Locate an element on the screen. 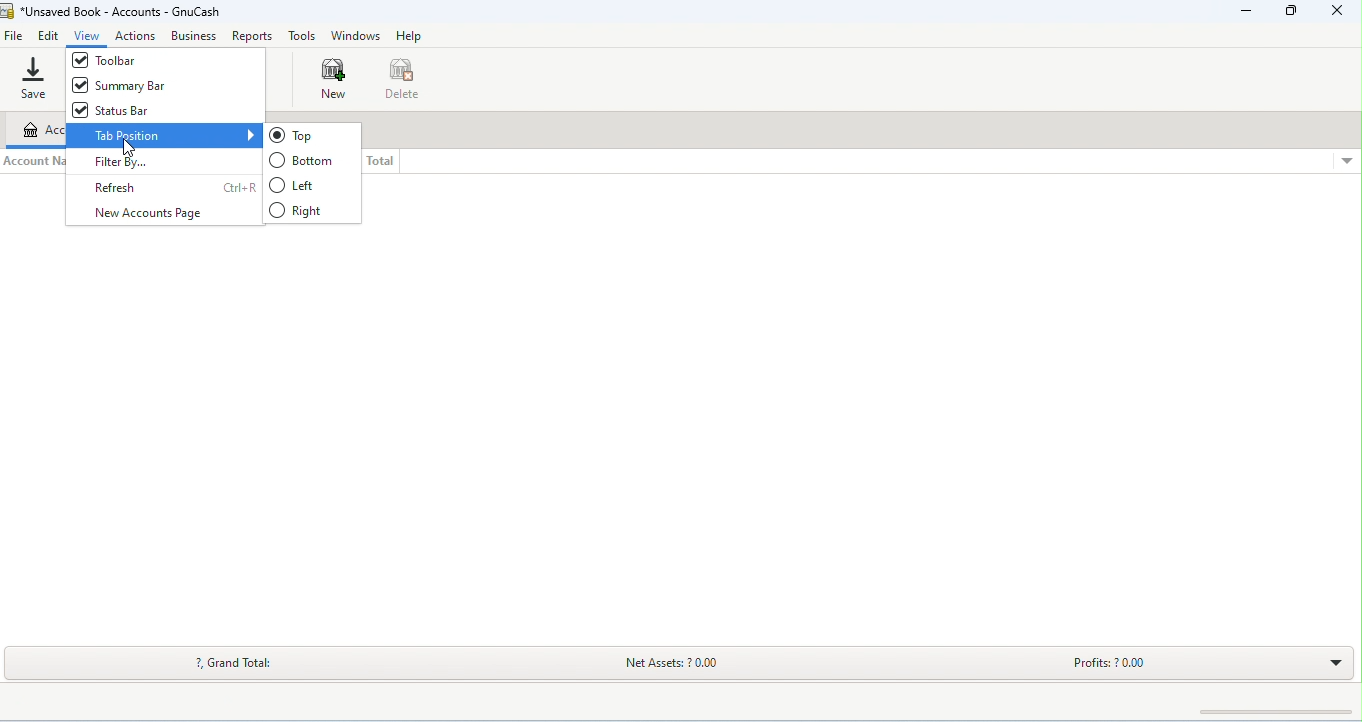 The width and height of the screenshot is (1362, 722). save is located at coordinates (37, 79).